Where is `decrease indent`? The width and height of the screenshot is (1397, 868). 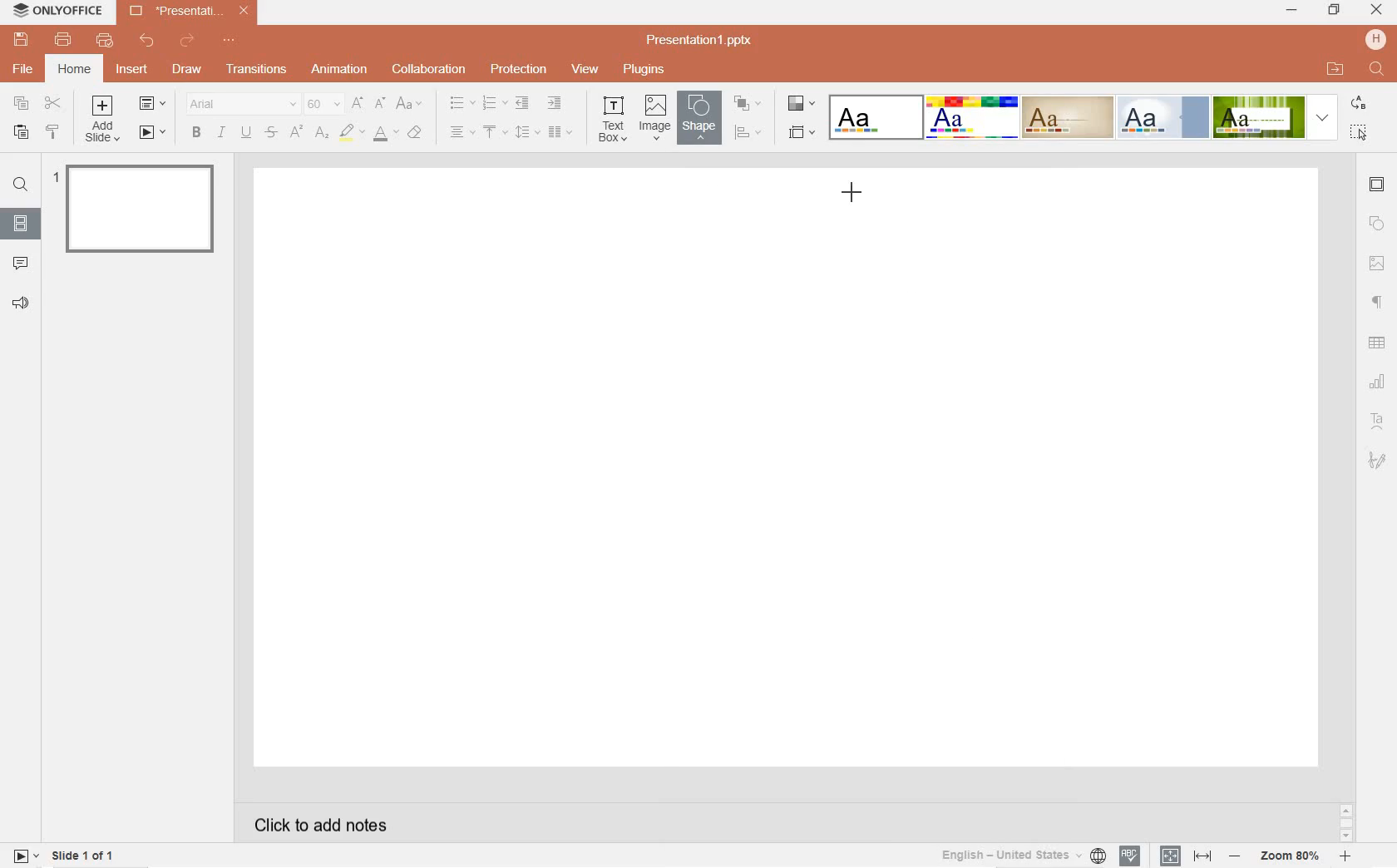 decrease indent is located at coordinates (521, 104).